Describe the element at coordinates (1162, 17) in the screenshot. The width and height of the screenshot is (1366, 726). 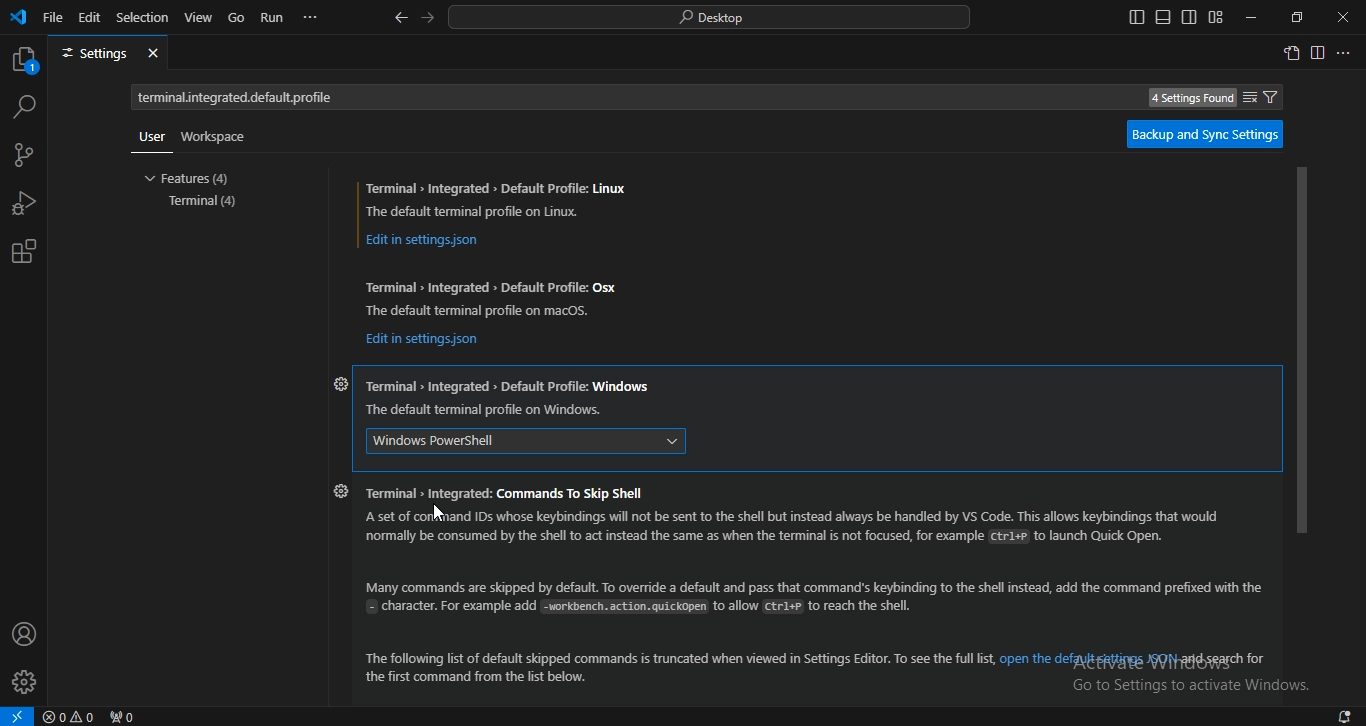
I see `toggle panel` at that location.